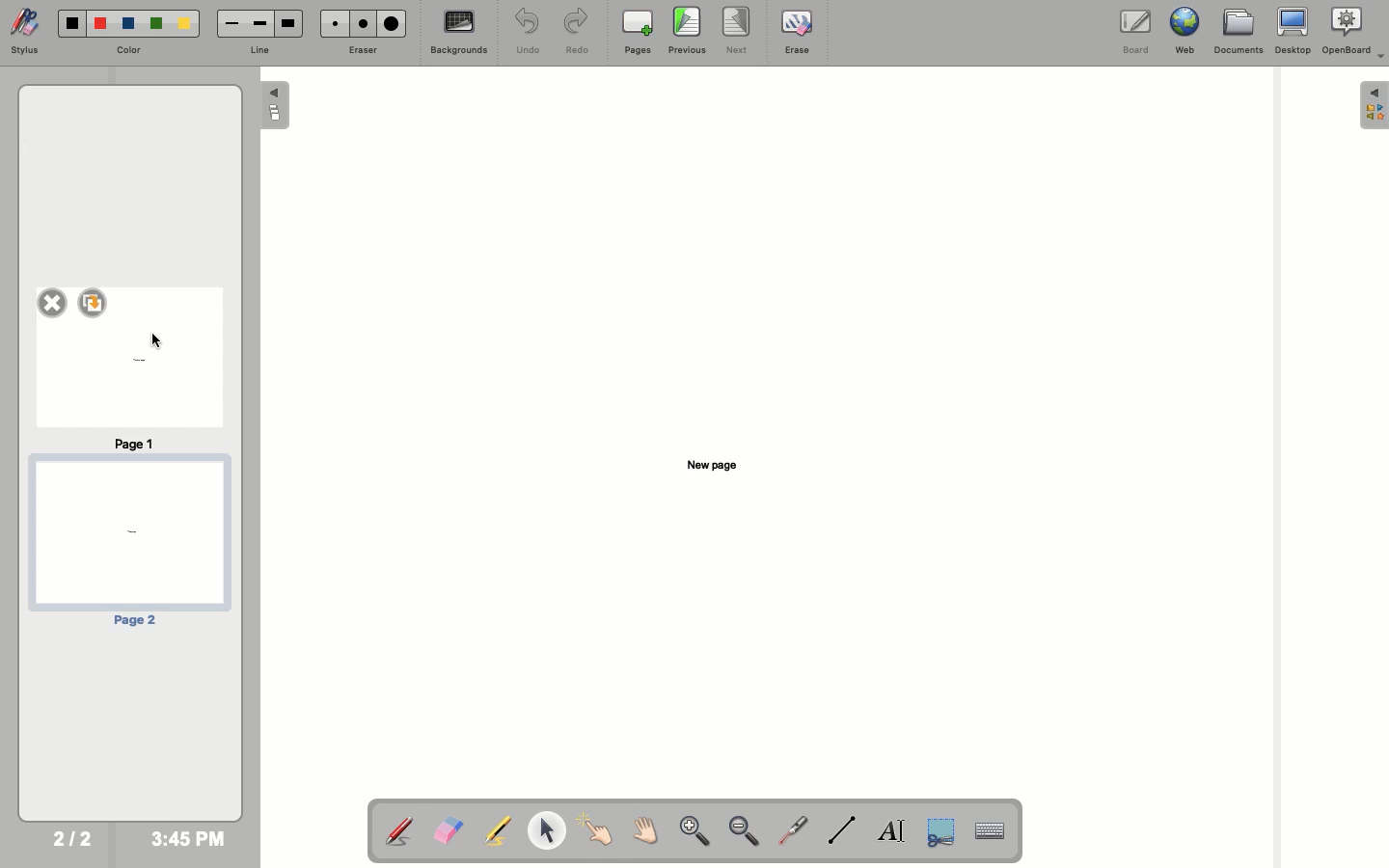 Image resolution: width=1389 pixels, height=868 pixels. I want to click on Display virtual keyboard, so click(999, 832).